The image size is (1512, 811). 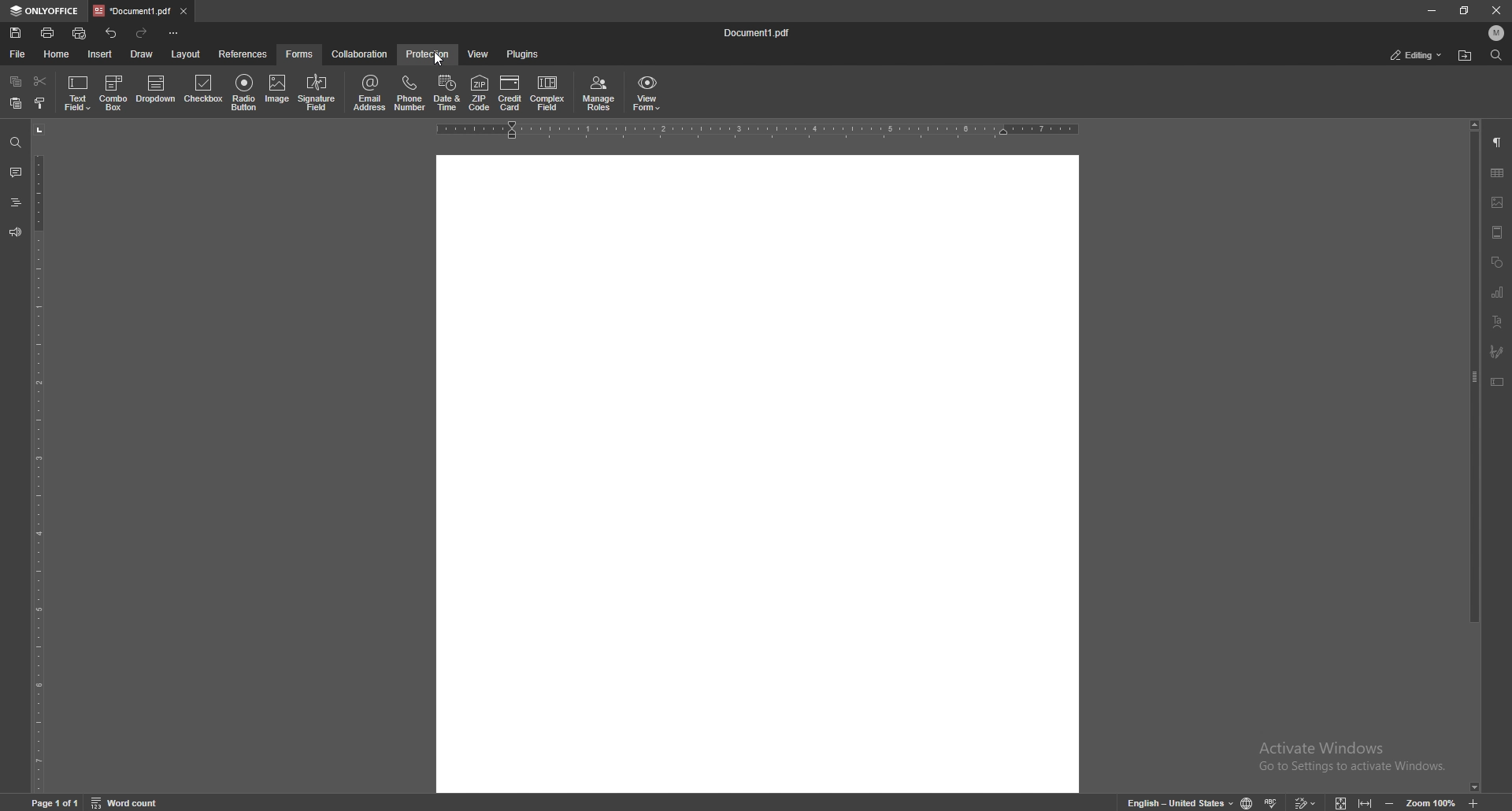 I want to click on status, so click(x=1417, y=56).